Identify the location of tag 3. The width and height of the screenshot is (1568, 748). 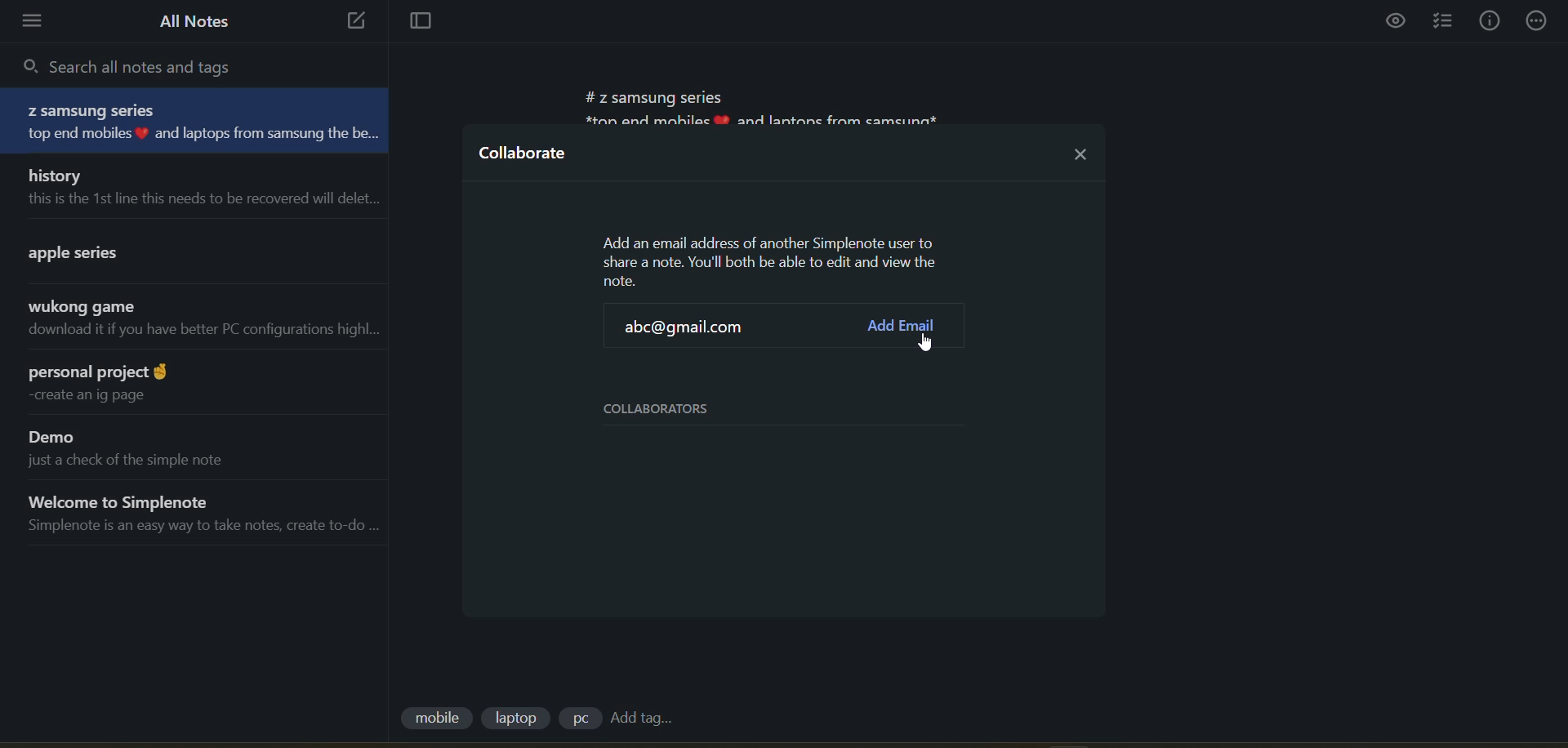
(579, 718).